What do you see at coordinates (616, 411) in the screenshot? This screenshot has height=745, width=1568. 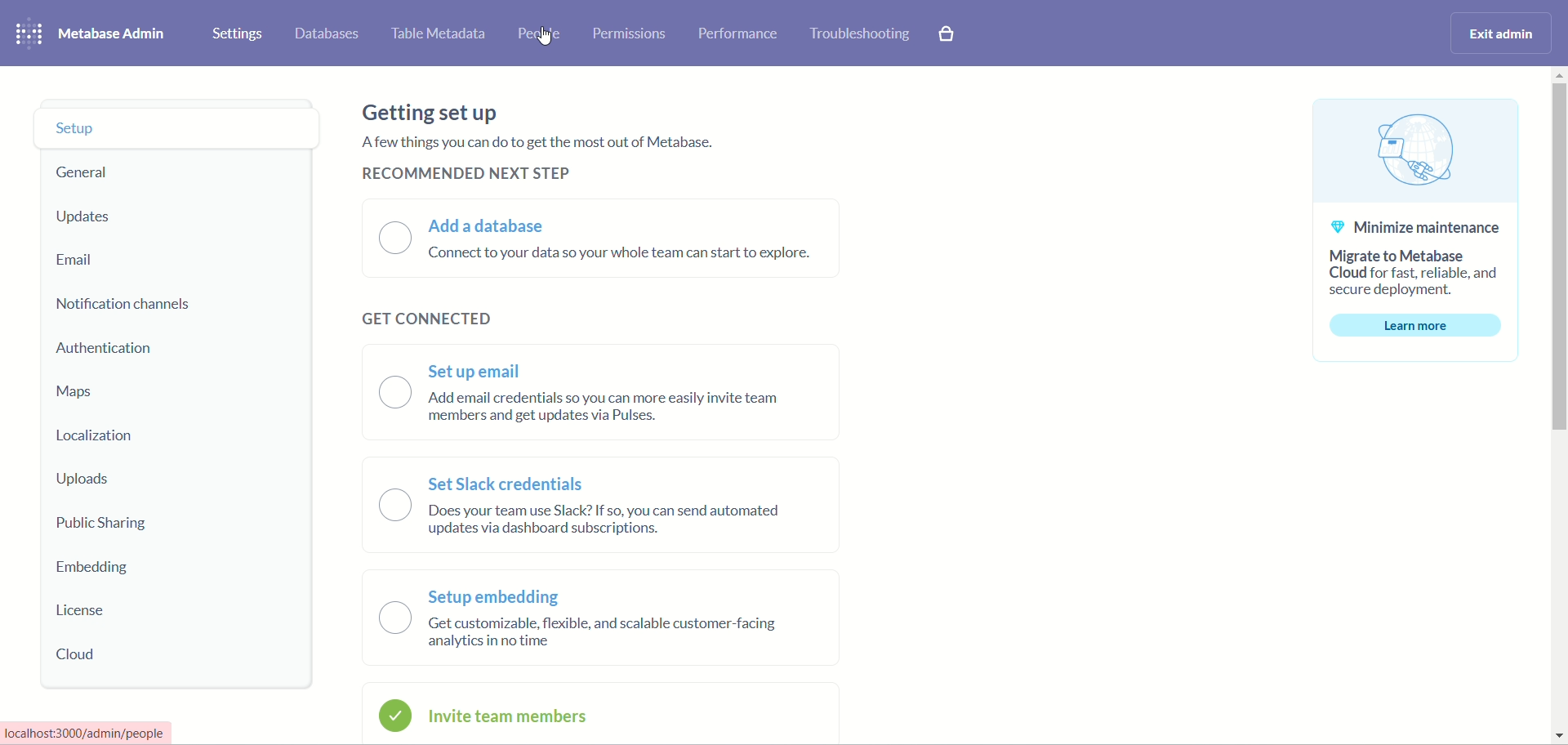 I see `text` at bounding box center [616, 411].